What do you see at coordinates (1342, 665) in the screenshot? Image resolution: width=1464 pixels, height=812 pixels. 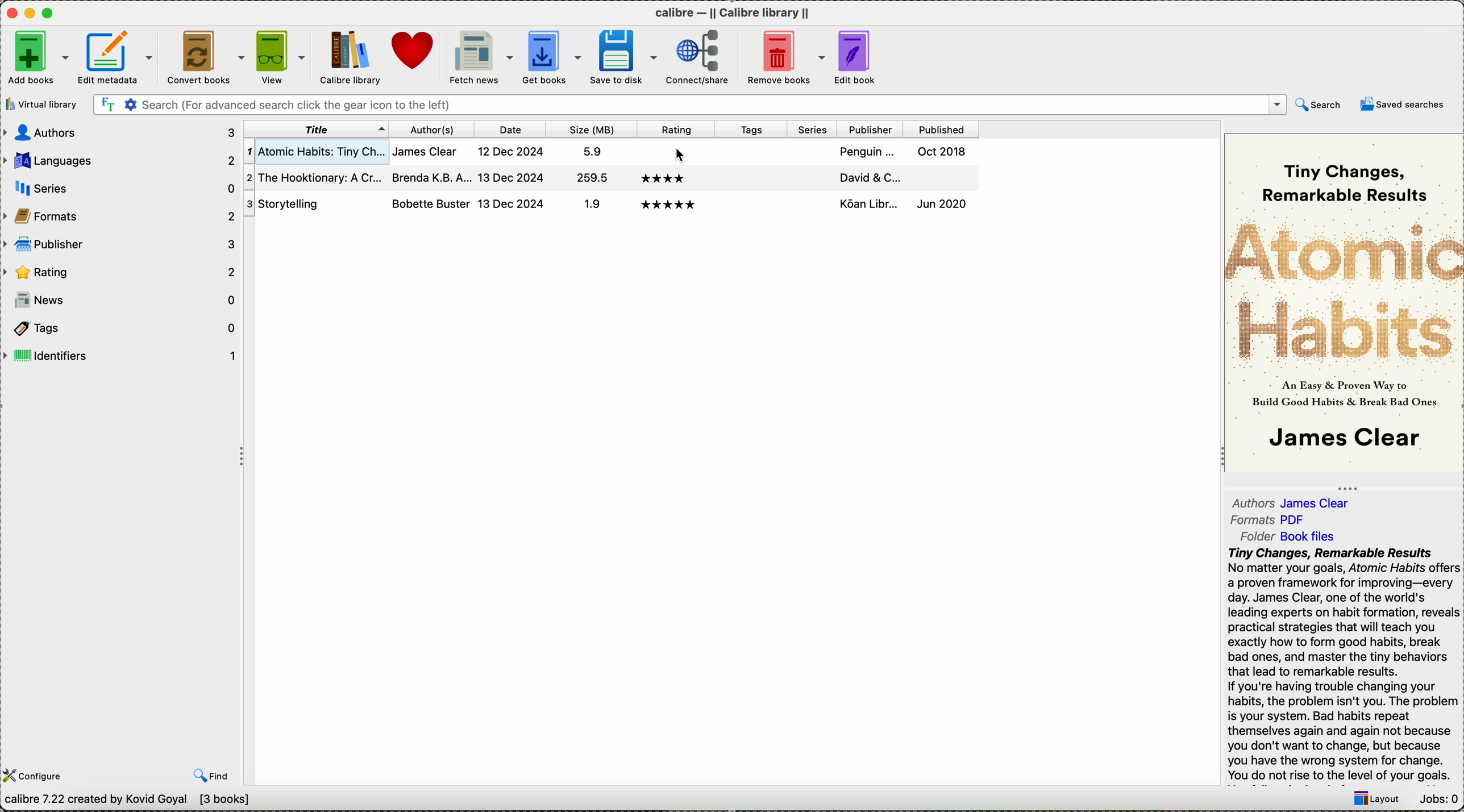 I see `Tiny Changes, Remarkable Results

No matter your goals, Atomic Habits offers
a proven framework for improving—every
day. James Clear, one of the world's
leading experts on habit formation, reveals
practical strategies that will teach you
exactly how to form good habits, break
bad ones, and master the tiny behaviors
that lead to remarkable results.

If you're having trouble changing your
habits, the problem isn't you. The problem
is your system. Bad habits repeat
themselves again and again not because
you don't want to change, but because
you have the wrong system for change.
You do not rise to the level of your goals.` at bounding box center [1342, 665].